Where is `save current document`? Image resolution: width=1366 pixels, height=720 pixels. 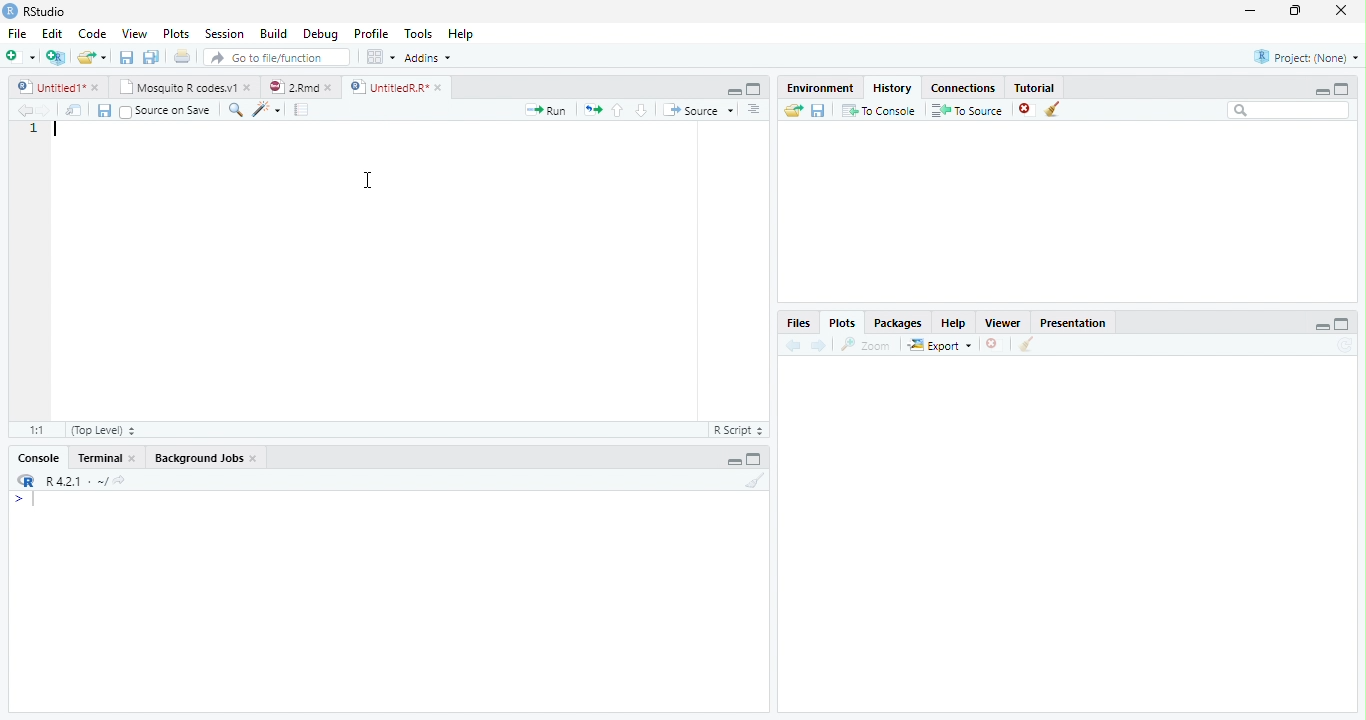
save current document is located at coordinates (125, 57).